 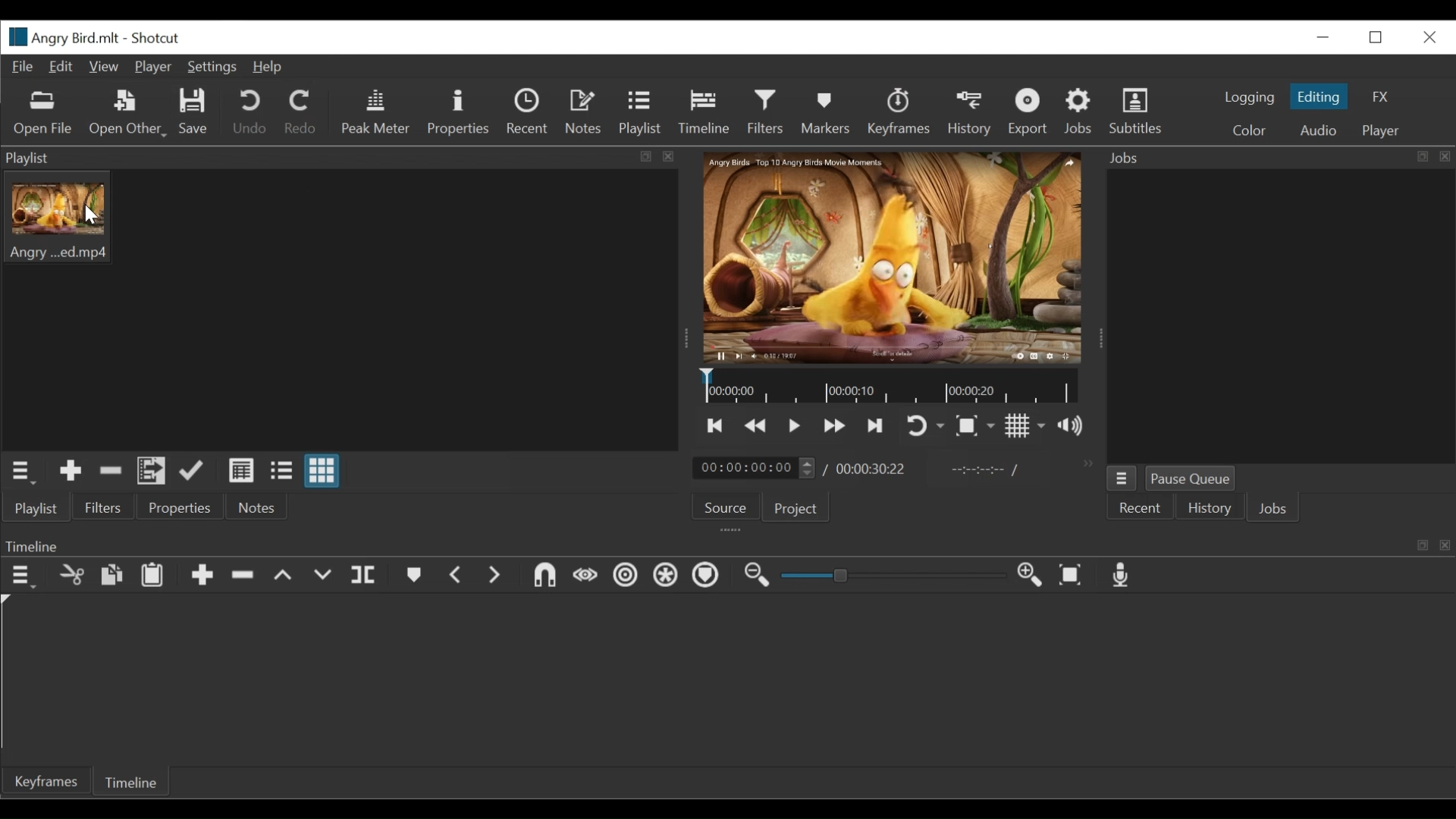 I want to click on Jobs, so click(x=1078, y=111).